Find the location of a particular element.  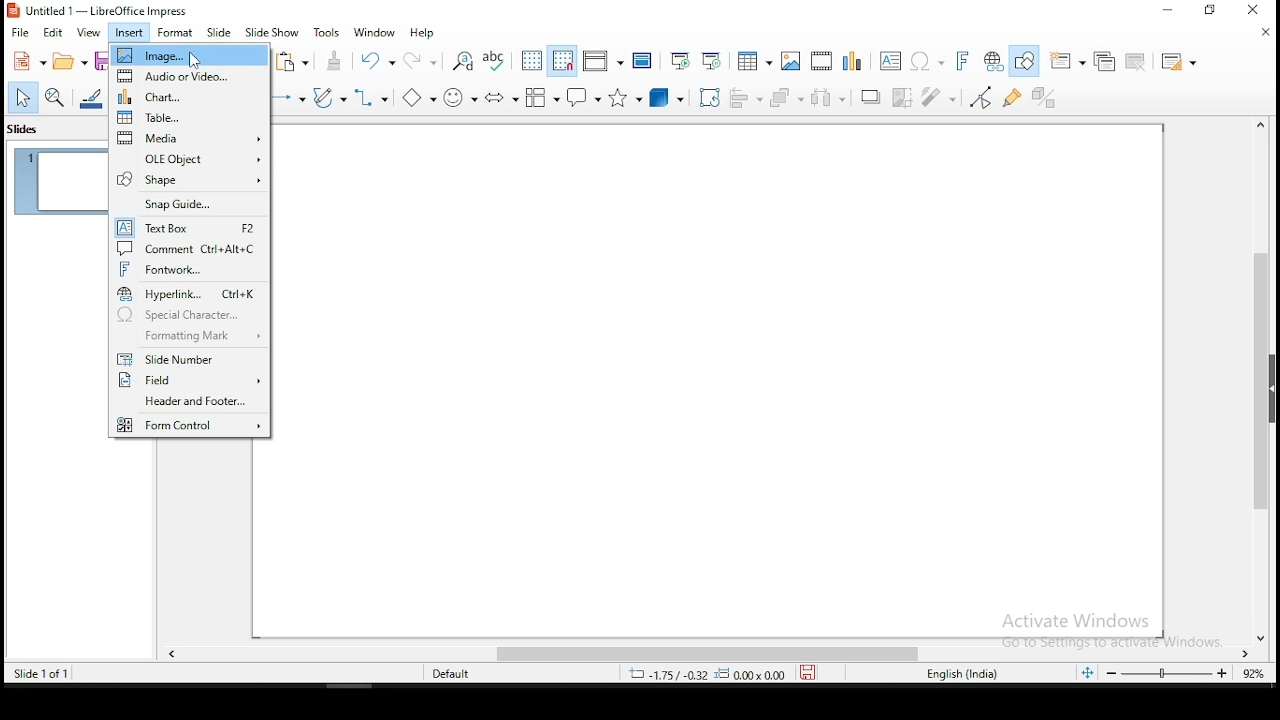

undo is located at coordinates (379, 60).